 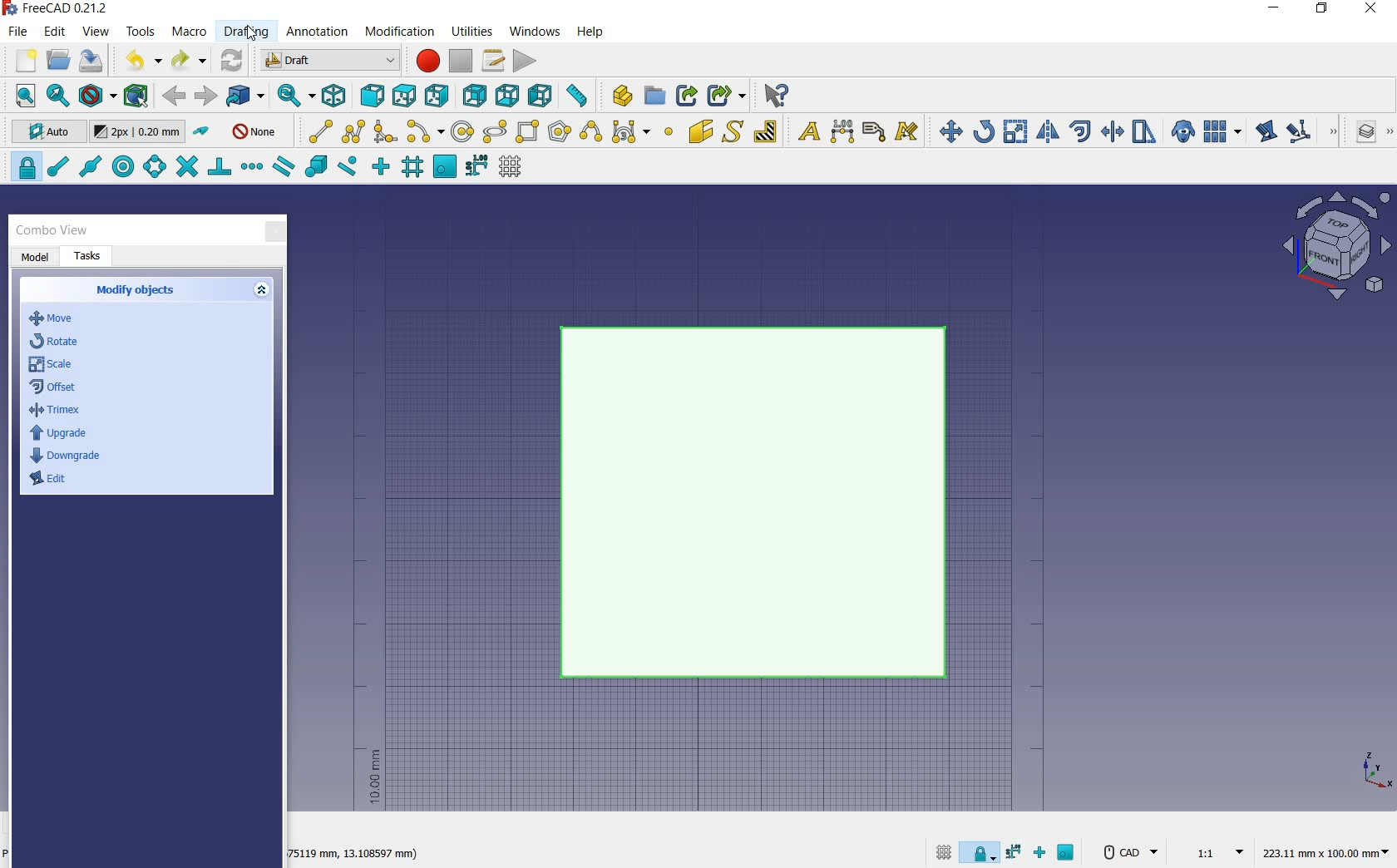 I want to click on create part, so click(x=619, y=95).